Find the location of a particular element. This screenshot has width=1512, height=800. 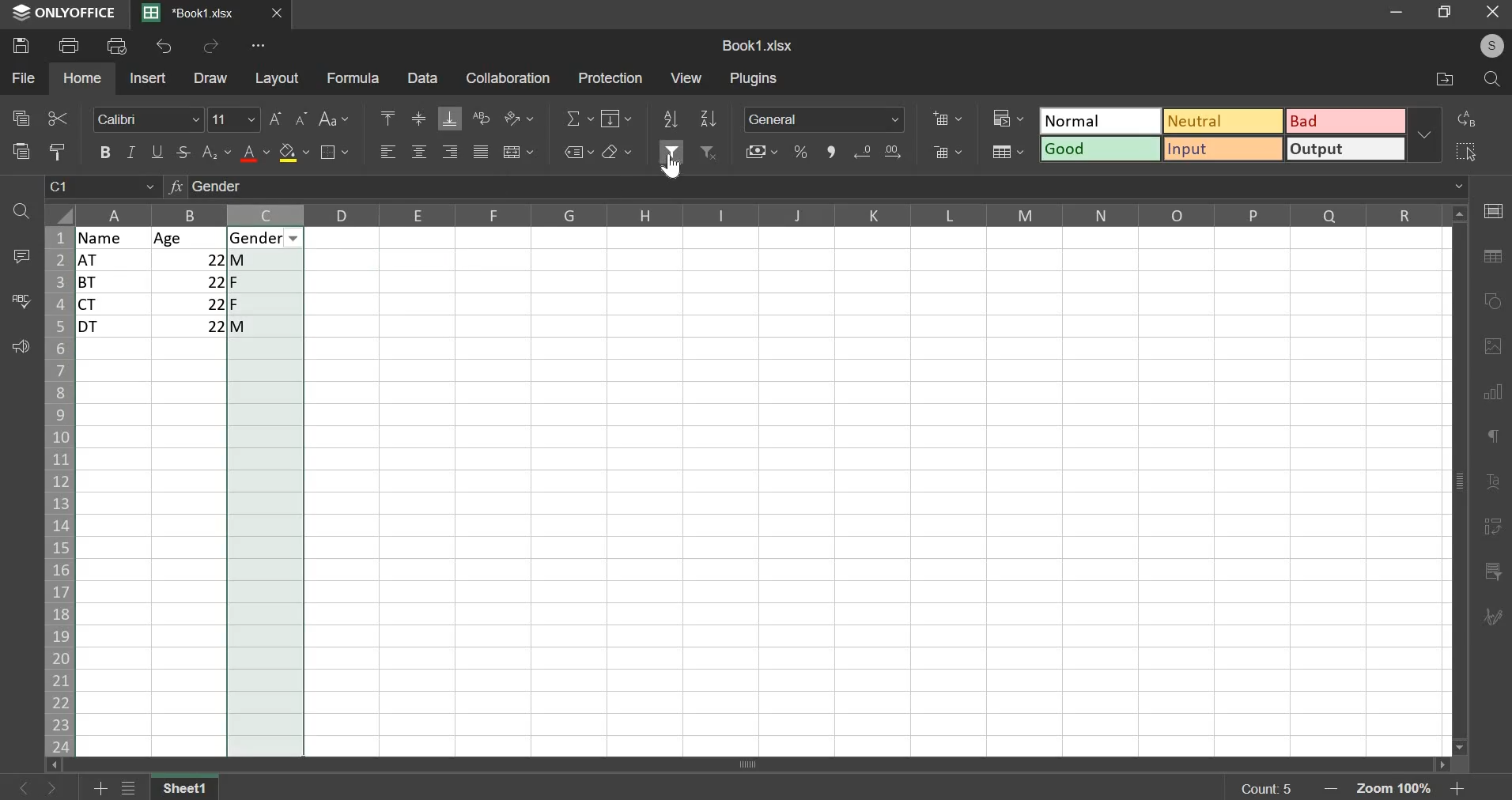

table is located at coordinates (1491, 258).